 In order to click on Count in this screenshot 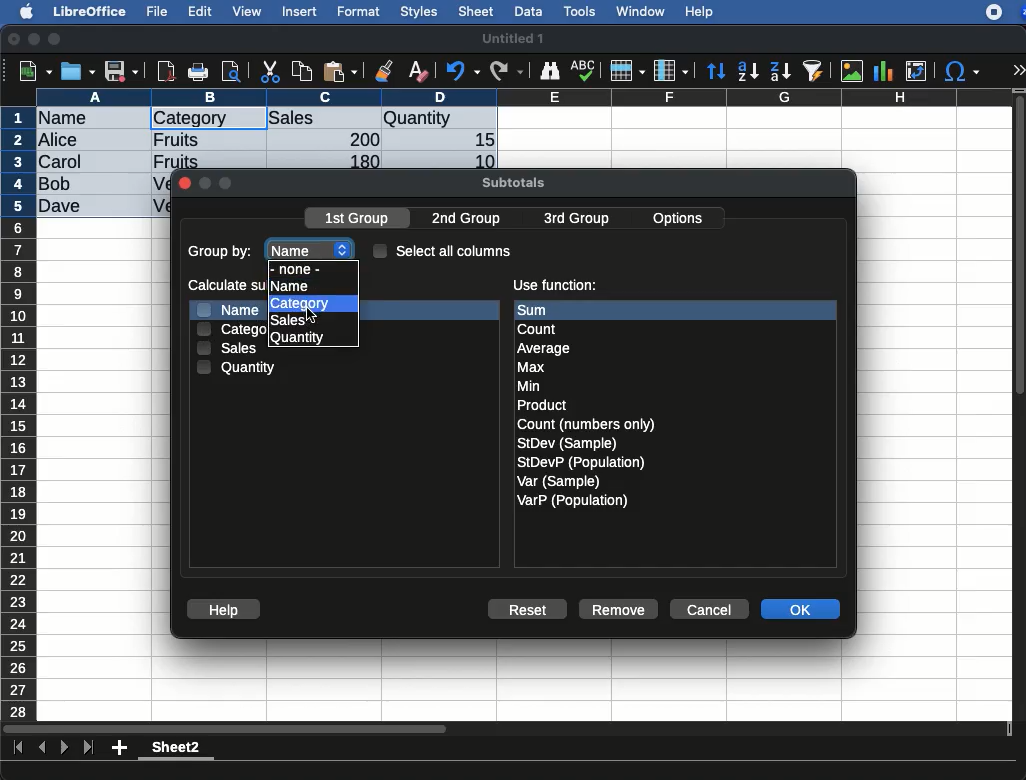, I will do `click(540, 329)`.